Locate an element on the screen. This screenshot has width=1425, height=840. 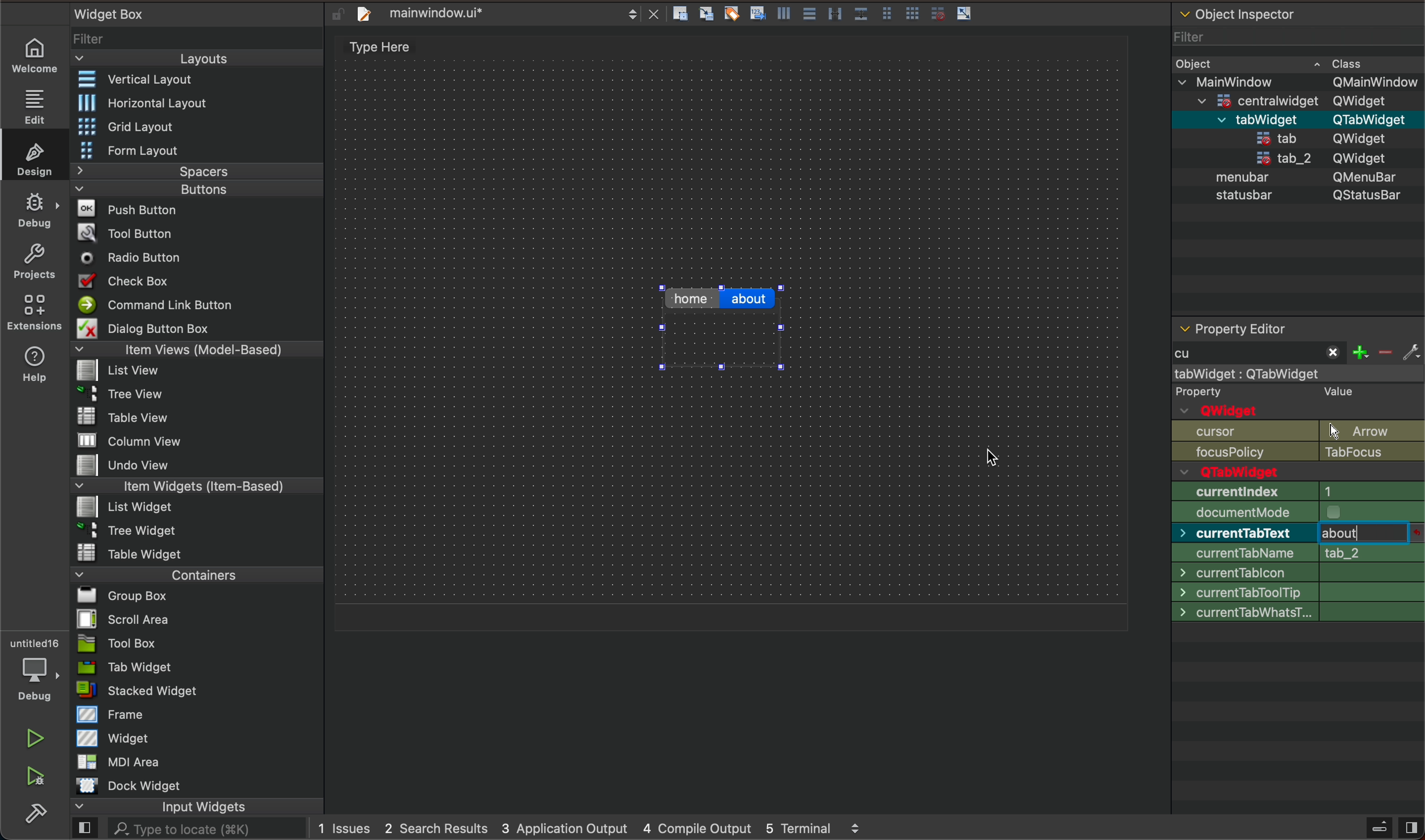
projects is located at coordinates (36, 261).